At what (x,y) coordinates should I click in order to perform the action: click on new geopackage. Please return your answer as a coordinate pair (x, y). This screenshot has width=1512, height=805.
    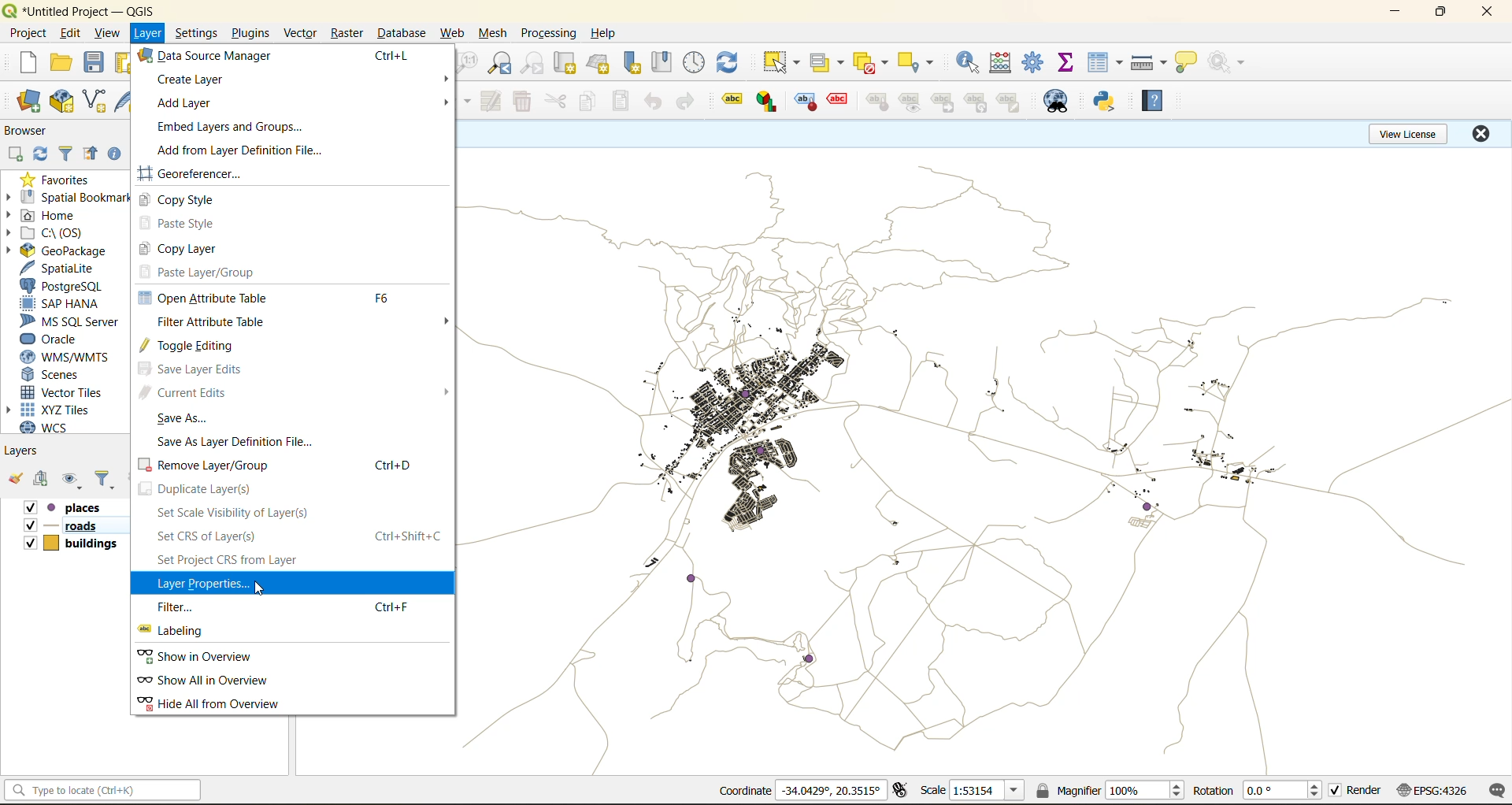
    Looking at the image, I should click on (61, 101).